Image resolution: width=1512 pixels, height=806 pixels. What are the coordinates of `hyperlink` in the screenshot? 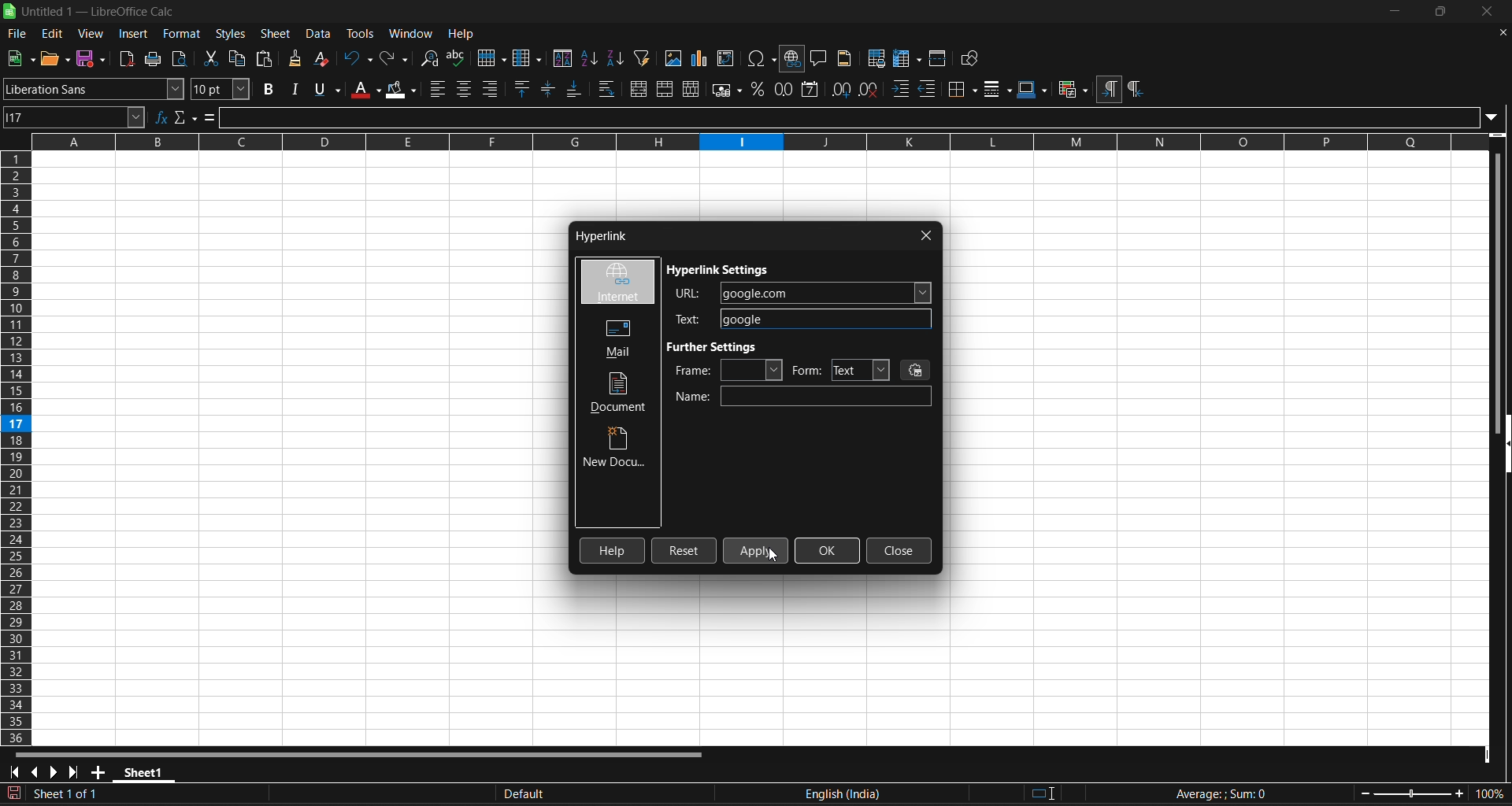 It's located at (598, 238).